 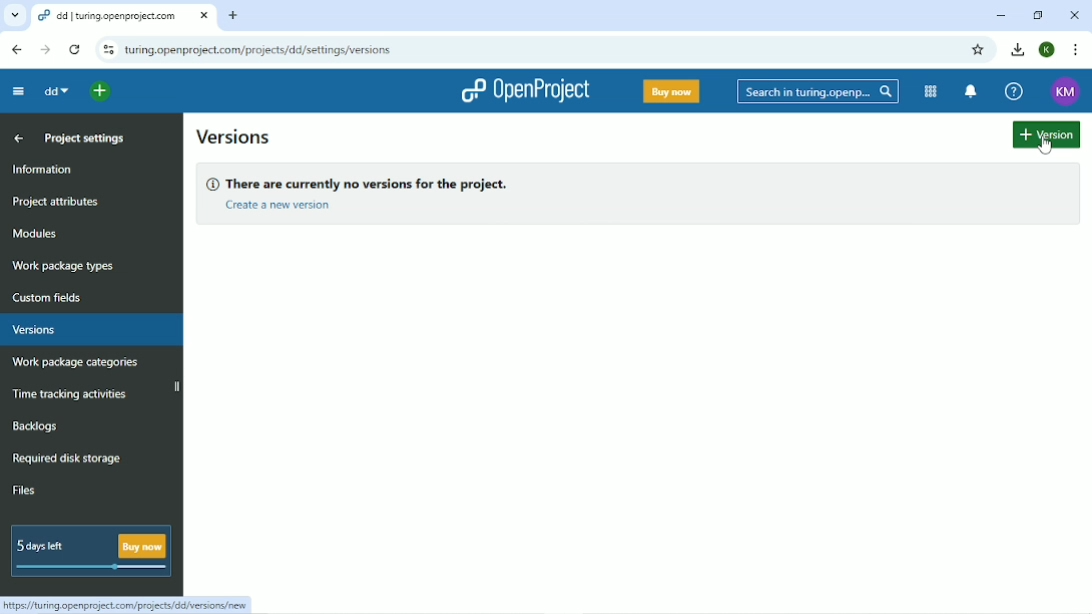 I want to click on Create a new version, so click(x=275, y=206).